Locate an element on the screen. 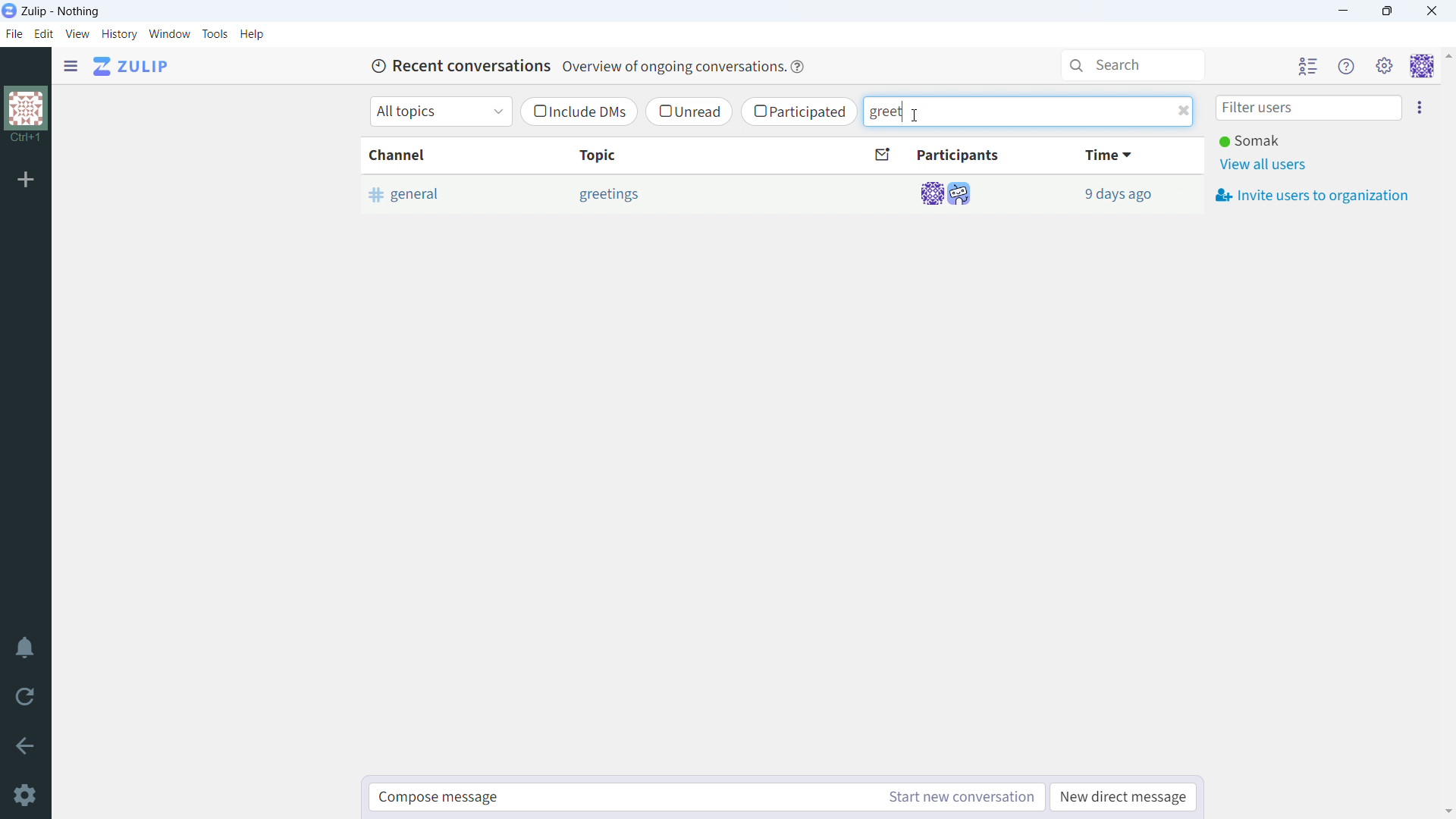  personal menu is located at coordinates (1421, 67).